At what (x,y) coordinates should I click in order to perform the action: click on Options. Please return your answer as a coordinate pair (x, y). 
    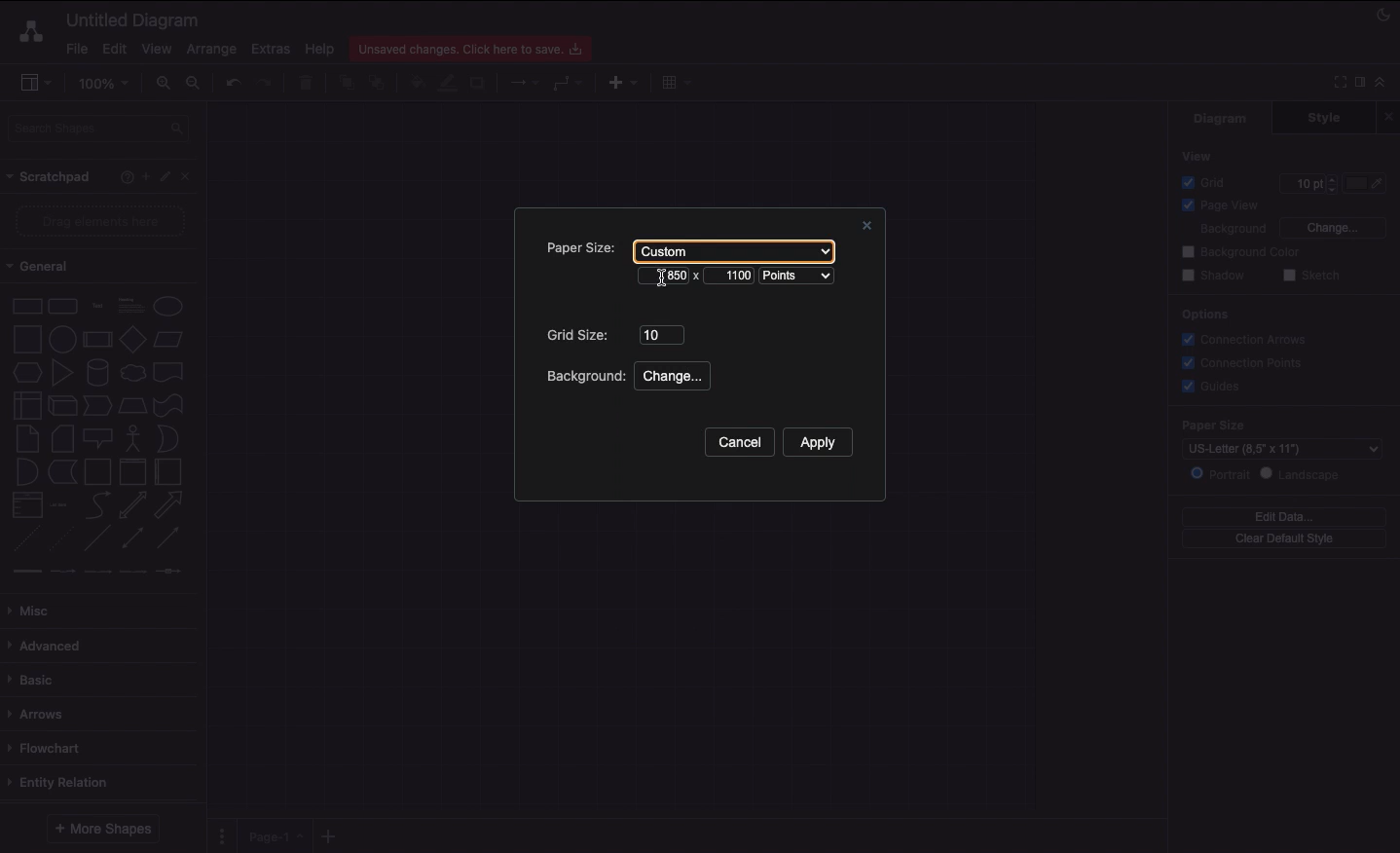
    Looking at the image, I should click on (1203, 314).